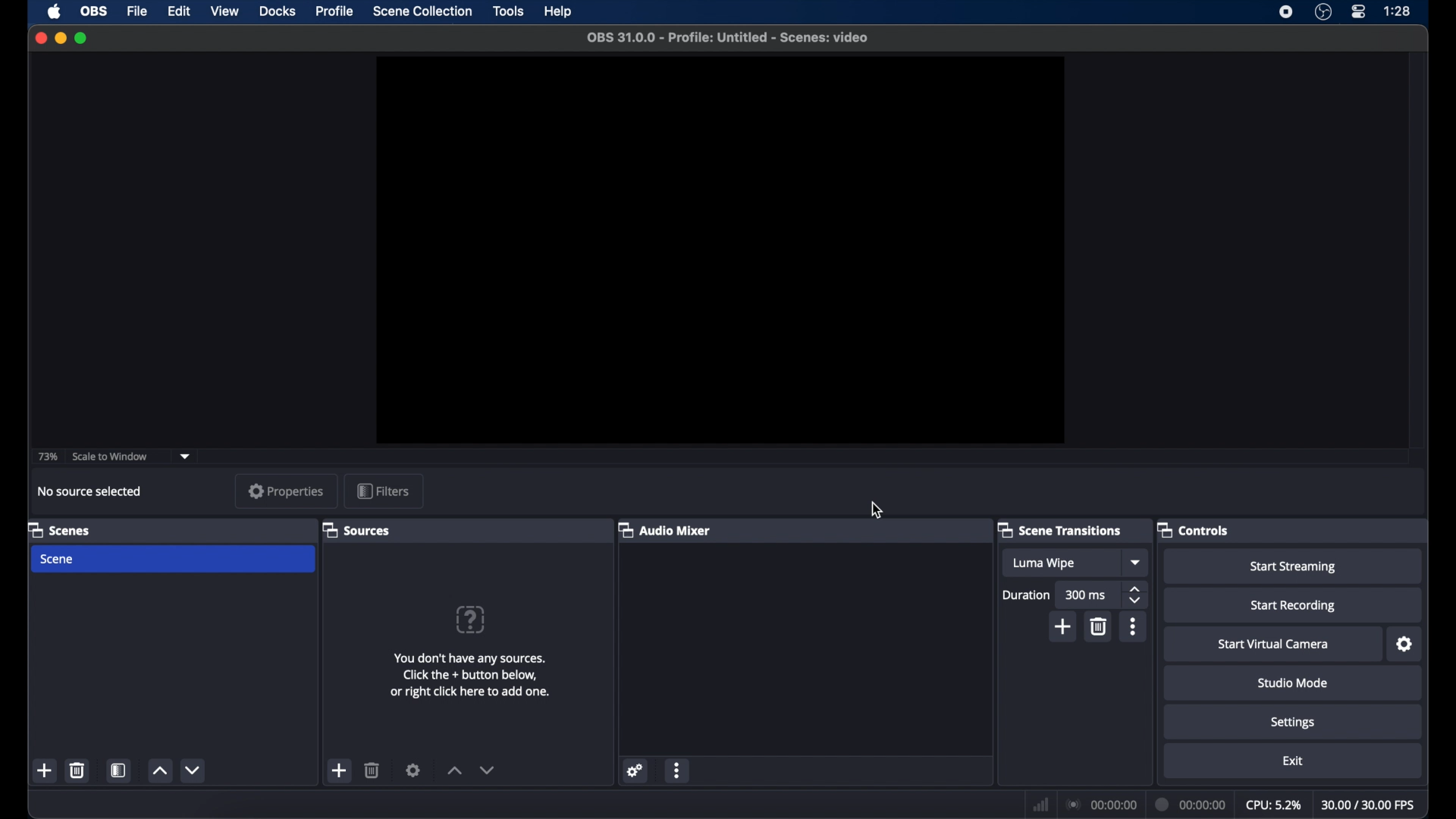  Describe the element at coordinates (720, 252) in the screenshot. I see `preview` at that location.